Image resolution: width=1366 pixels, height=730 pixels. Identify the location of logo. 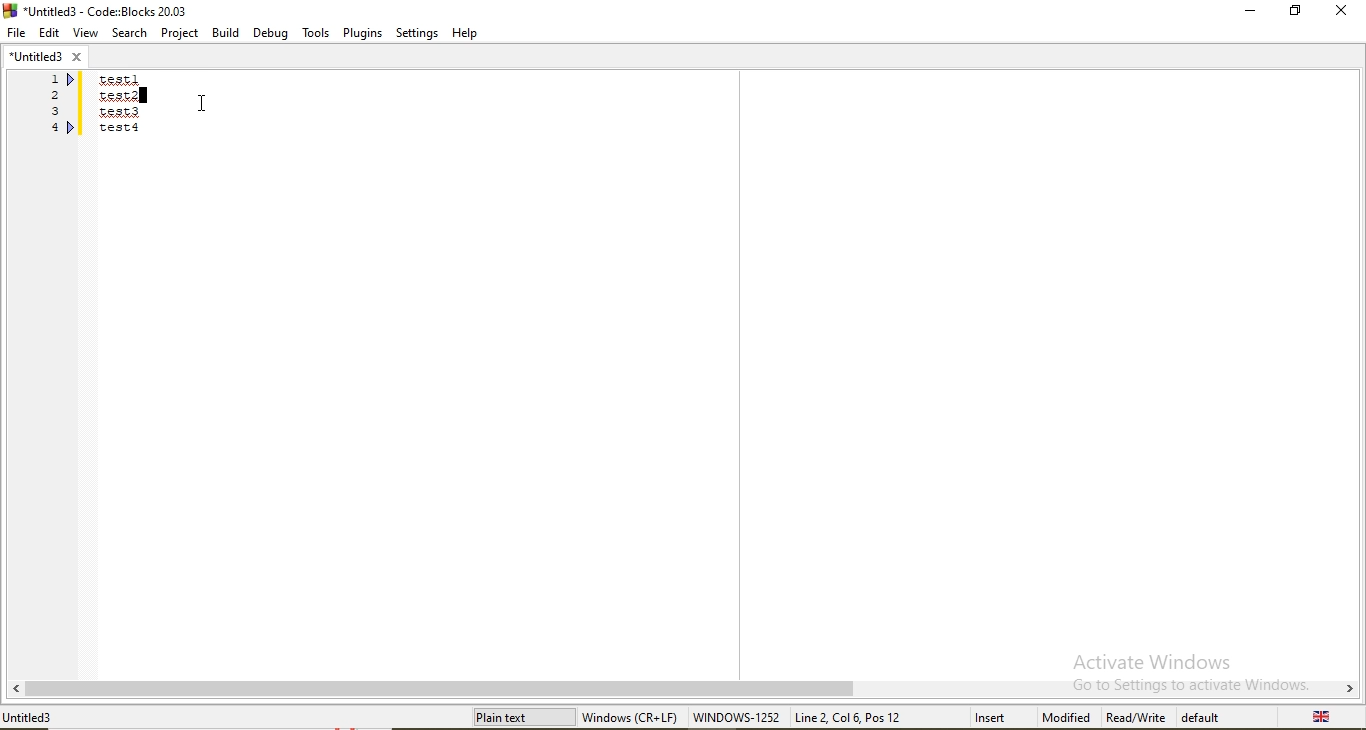
(102, 9).